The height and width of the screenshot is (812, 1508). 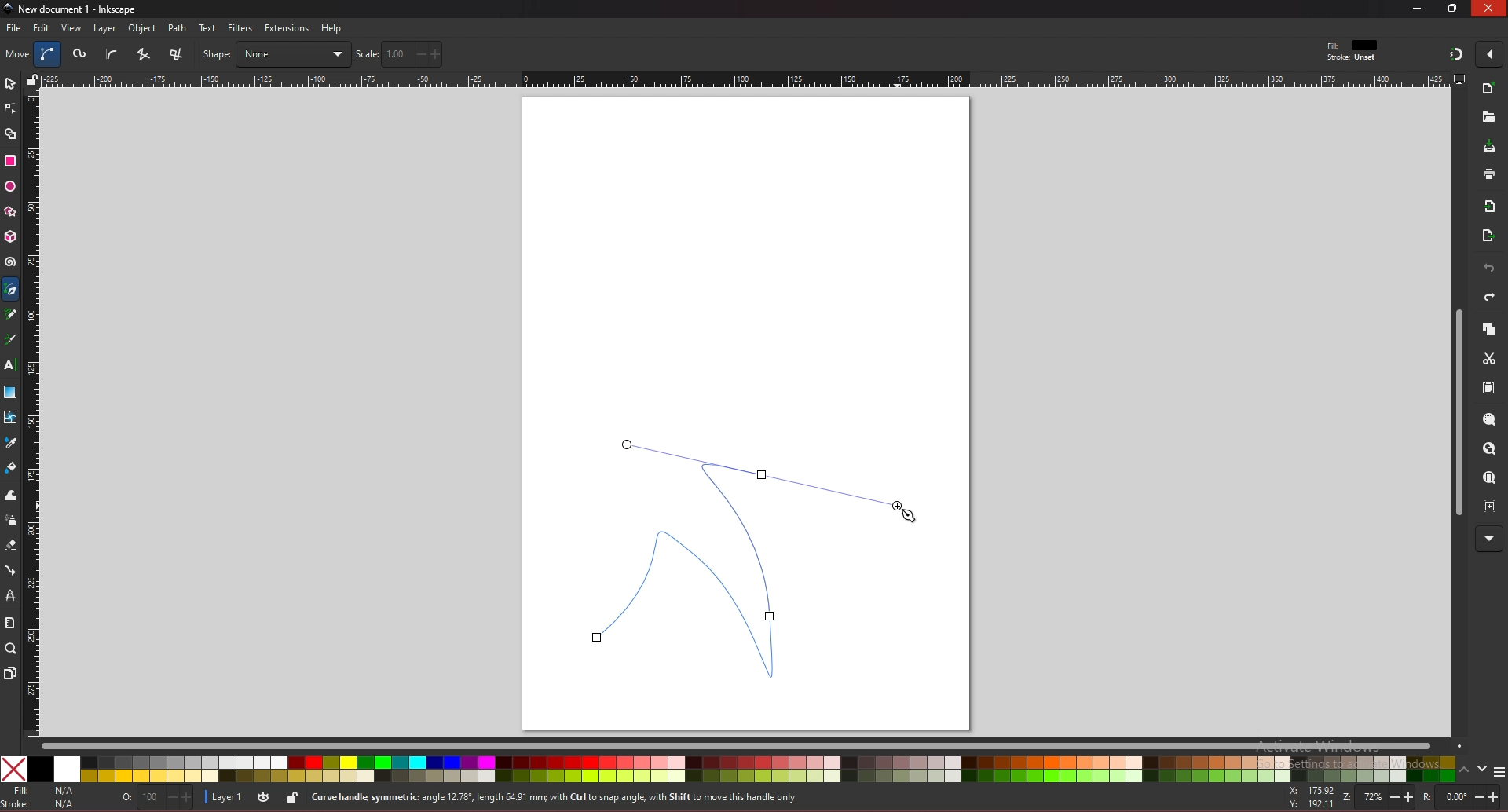 I want to click on mesh, so click(x=9, y=417).